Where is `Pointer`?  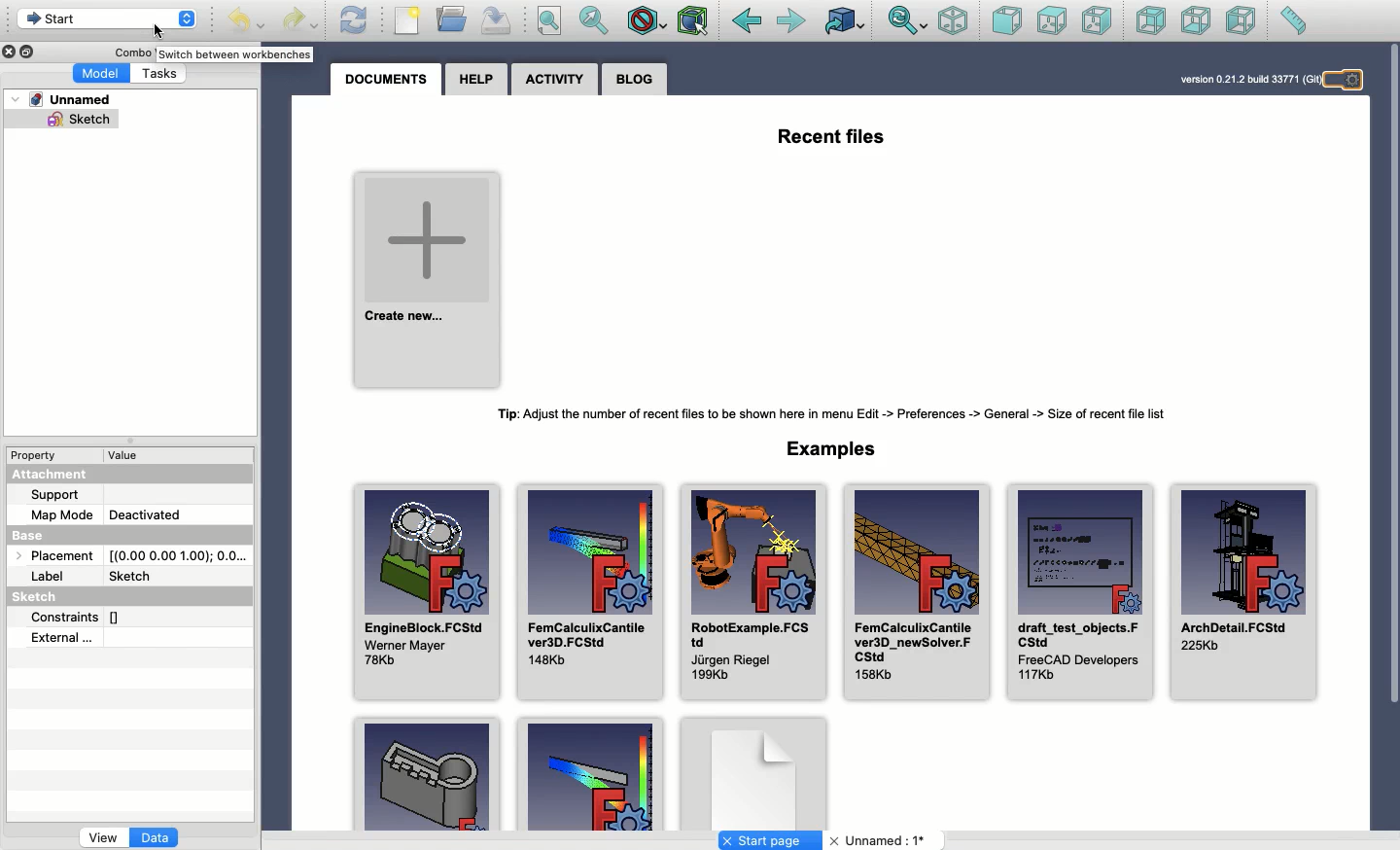 Pointer is located at coordinates (156, 31).